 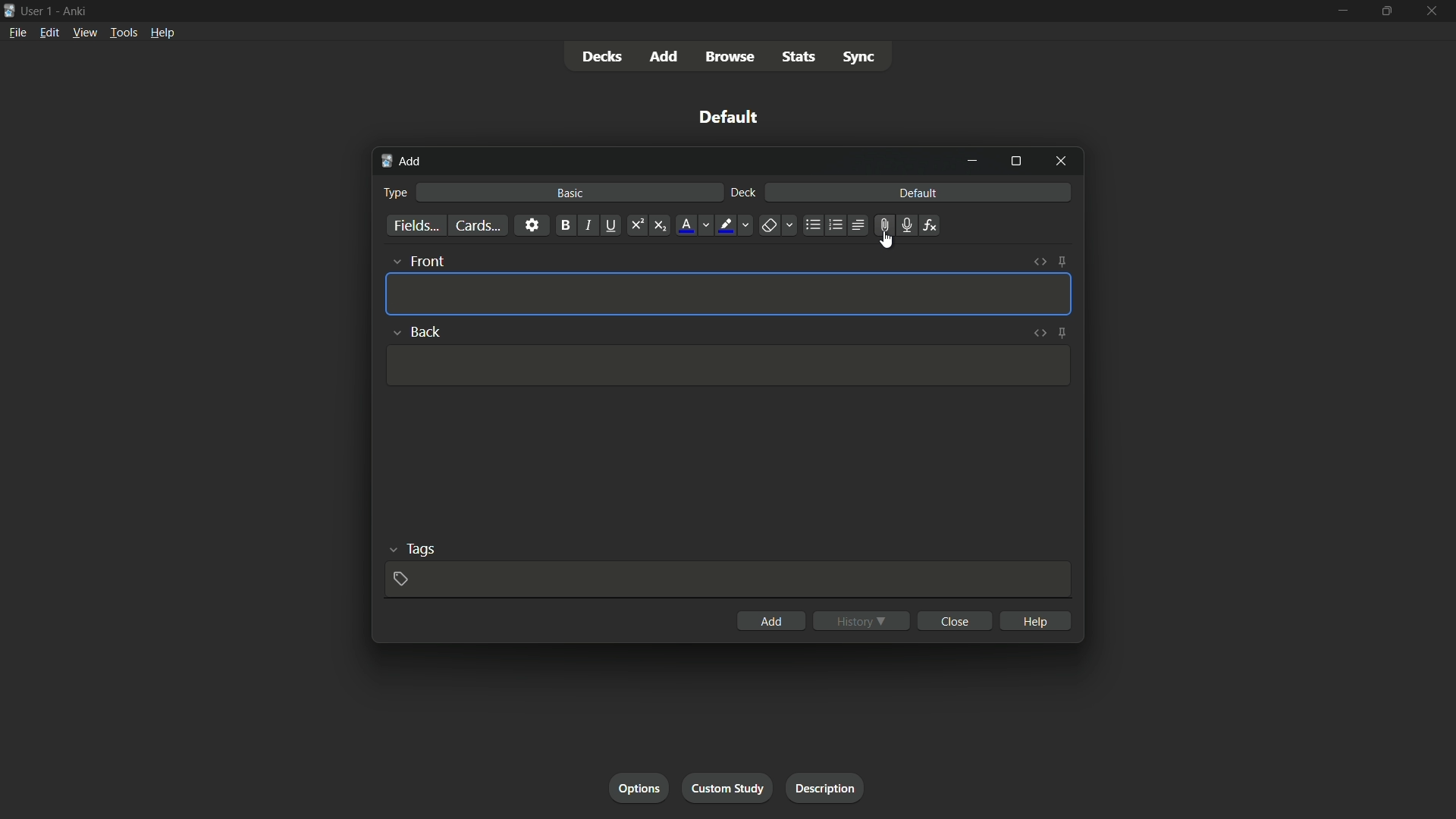 What do you see at coordinates (9, 11) in the screenshot?
I see `app icon` at bounding box center [9, 11].